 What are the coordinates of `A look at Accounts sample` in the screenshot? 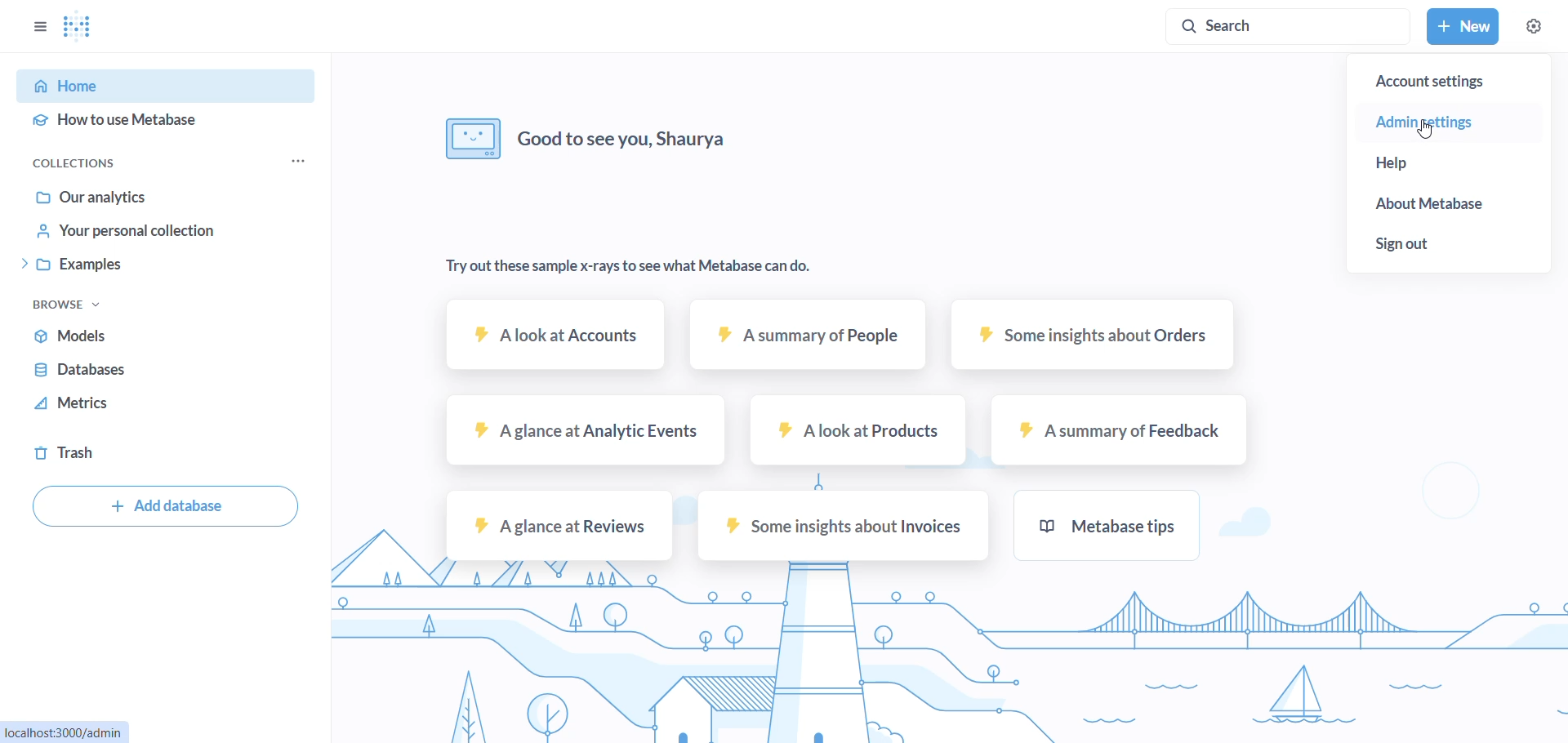 It's located at (550, 342).